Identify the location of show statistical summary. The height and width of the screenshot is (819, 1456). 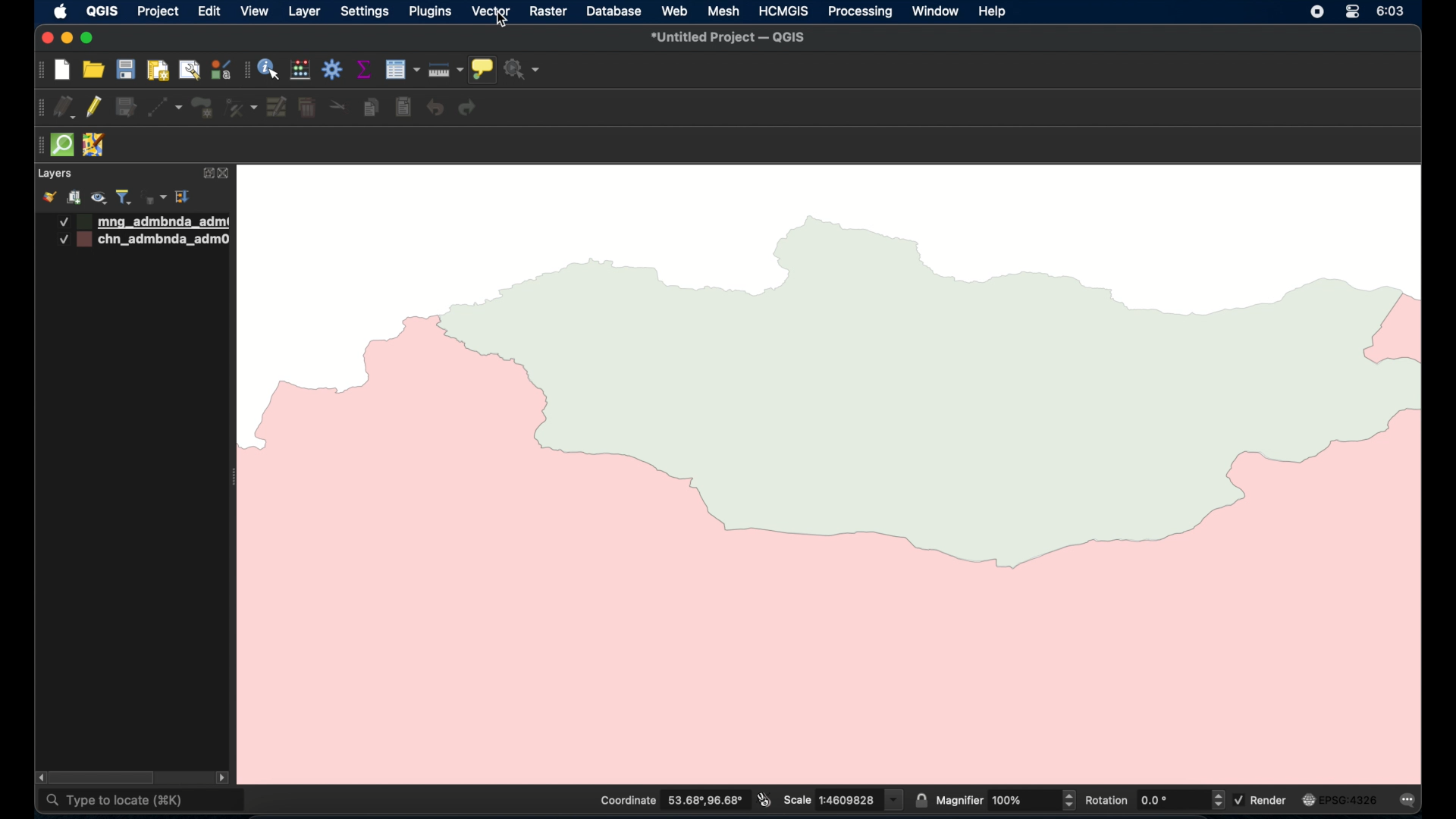
(365, 69).